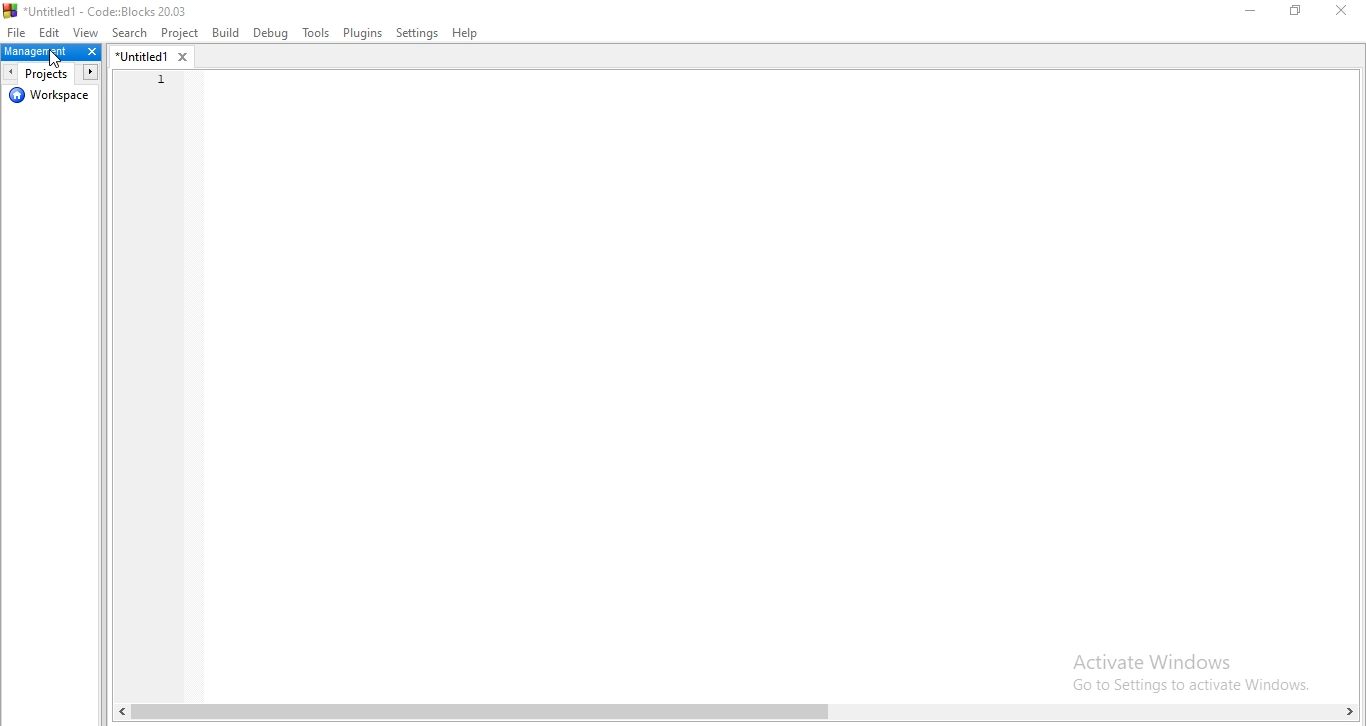  What do you see at coordinates (49, 73) in the screenshot?
I see `projects` at bounding box center [49, 73].